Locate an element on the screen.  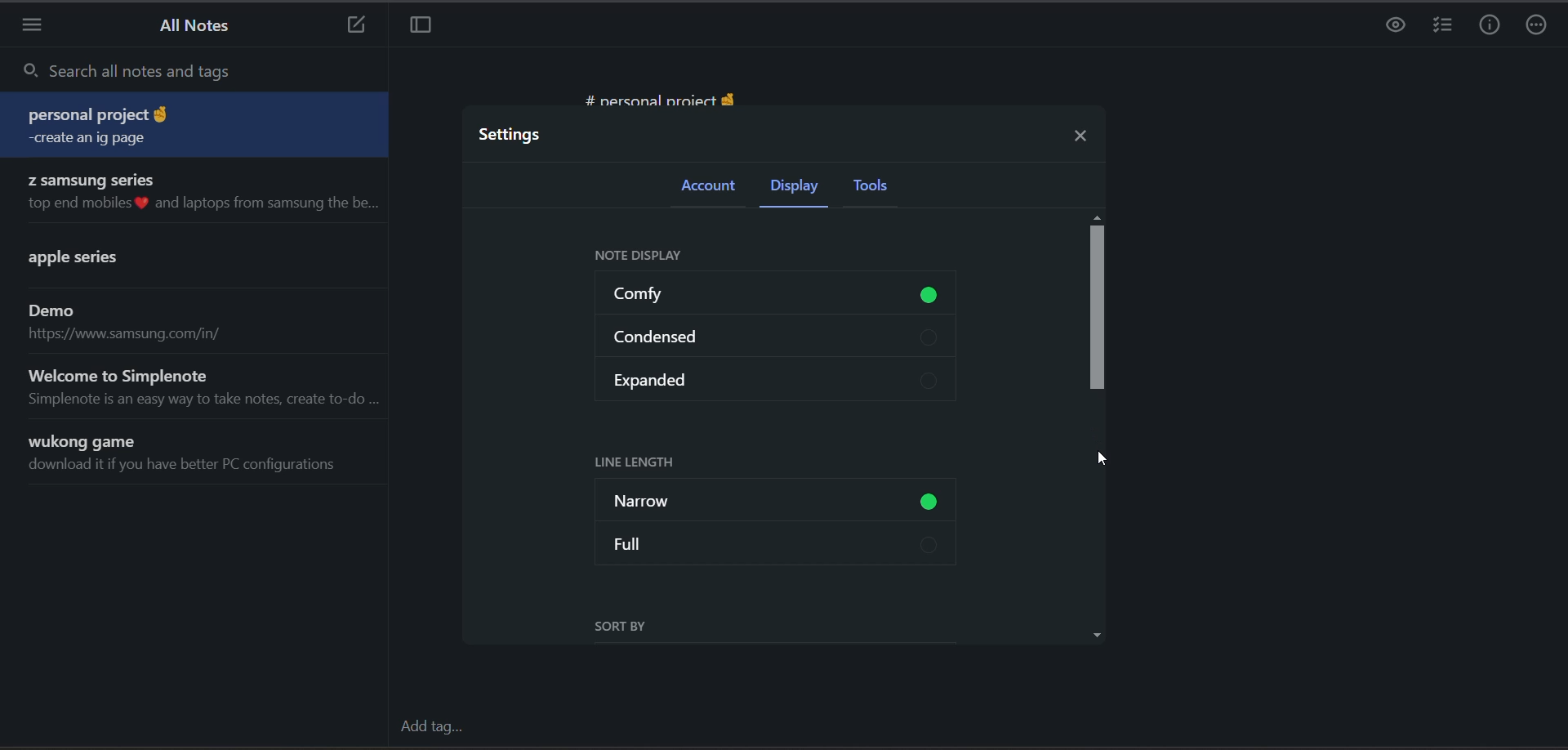
note title and preview is located at coordinates (206, 386).